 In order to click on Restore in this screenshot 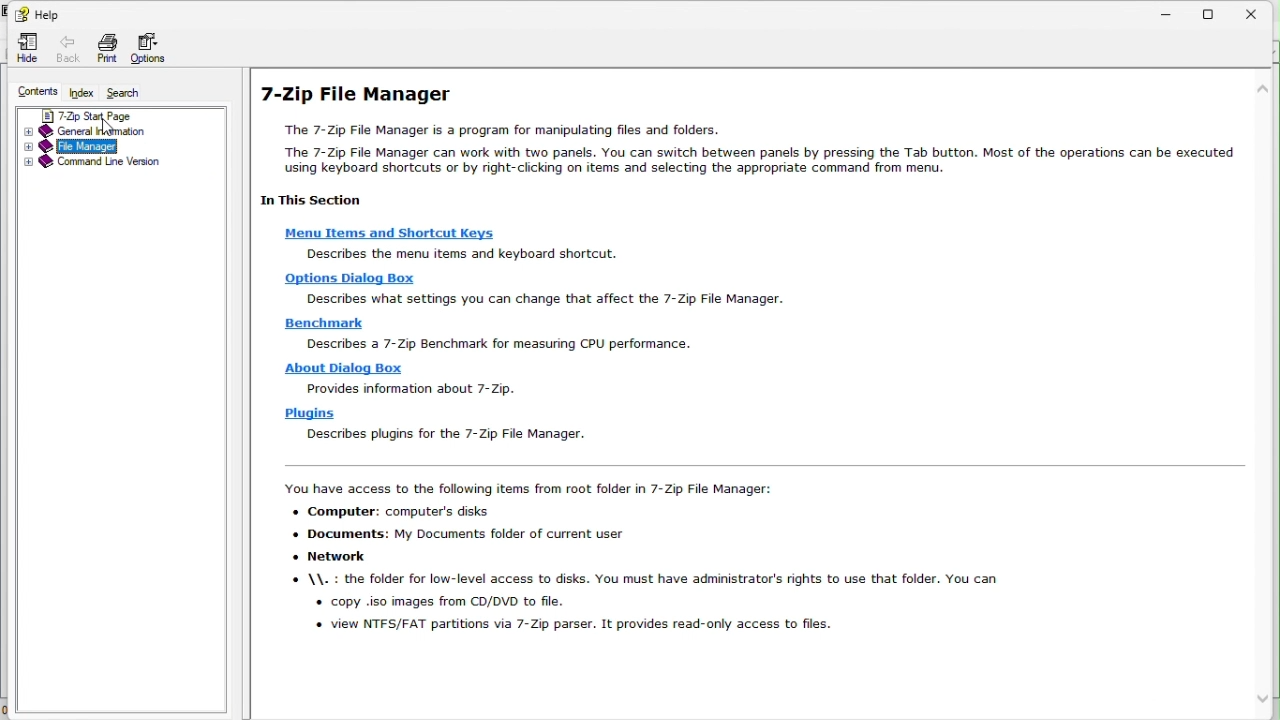, I will do `click(1215, 12)`.